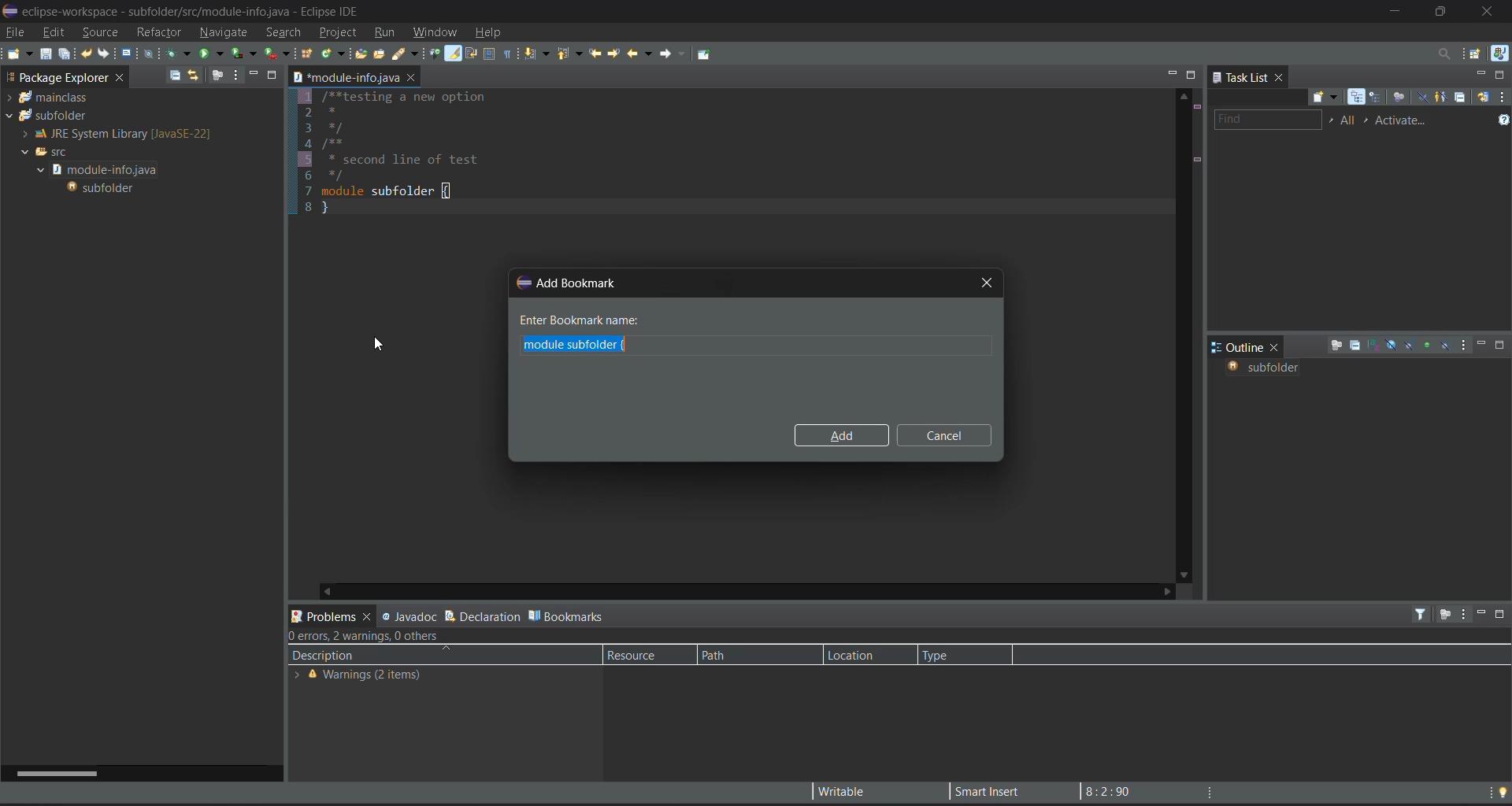  I want to click on minimize, so click(1480, 612).